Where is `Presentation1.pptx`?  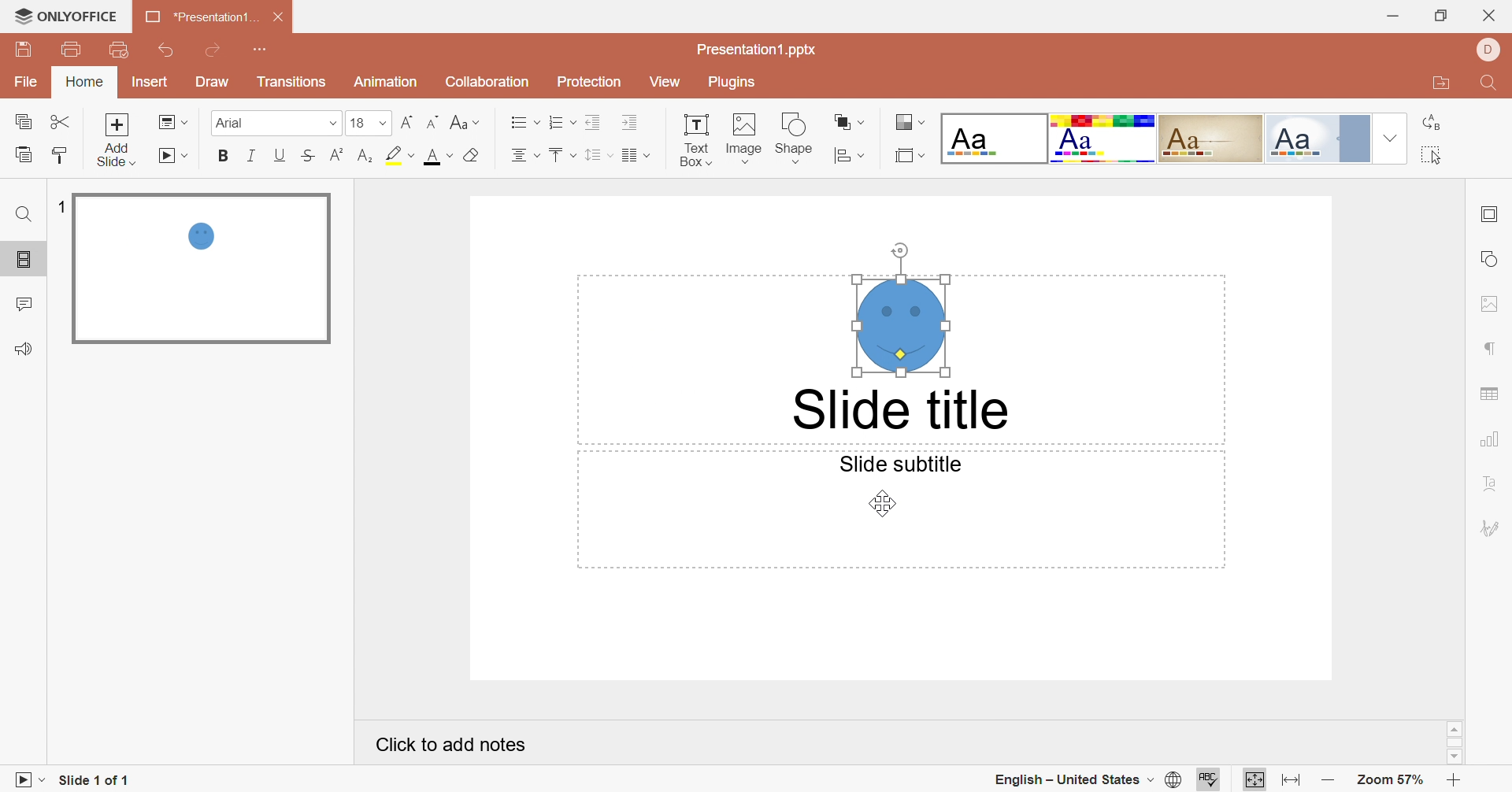
Presentation1.pptx is located at coordinates (759, 50).